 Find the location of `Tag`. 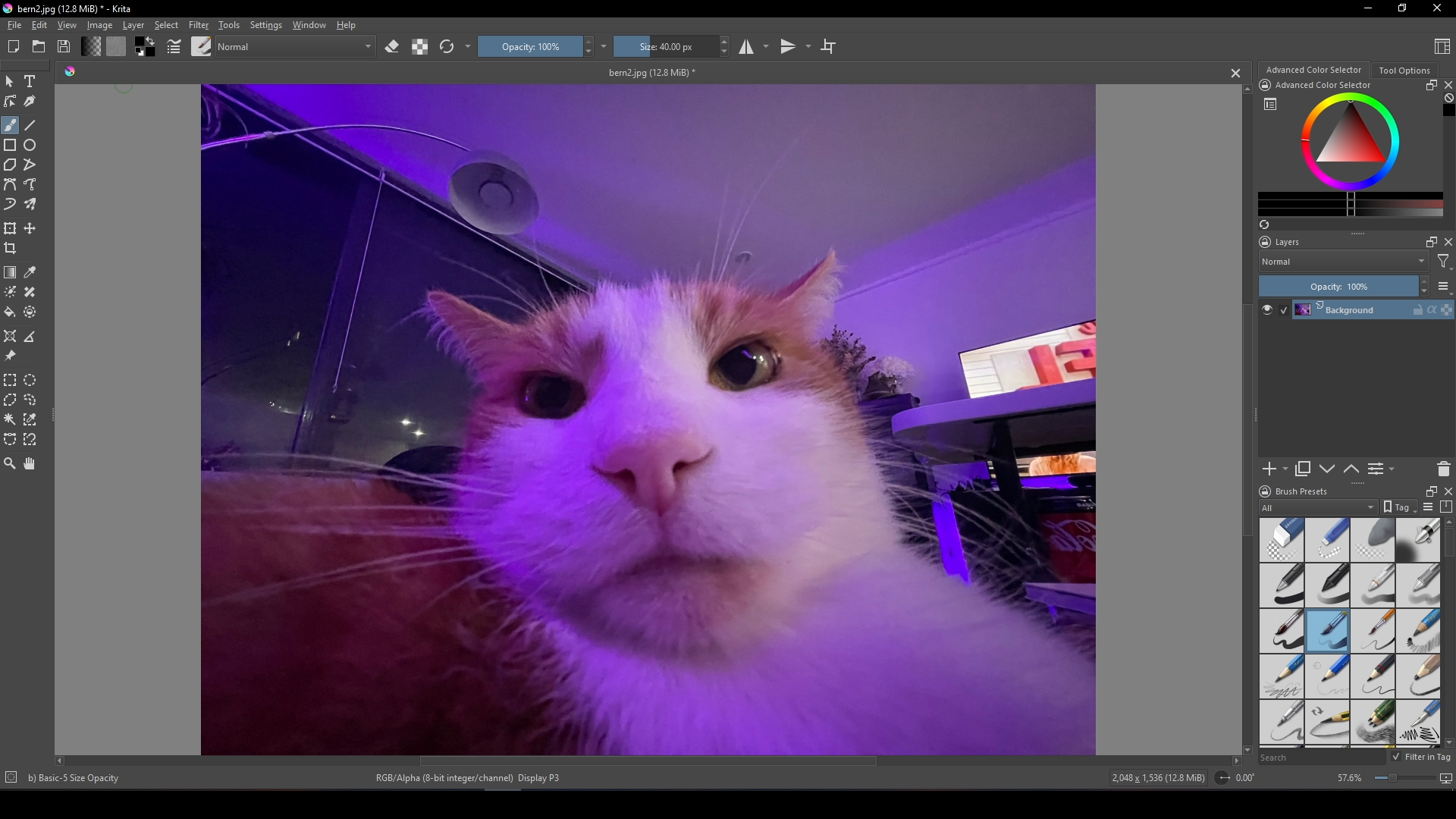

Tag is located at coordinates (1401, 508).